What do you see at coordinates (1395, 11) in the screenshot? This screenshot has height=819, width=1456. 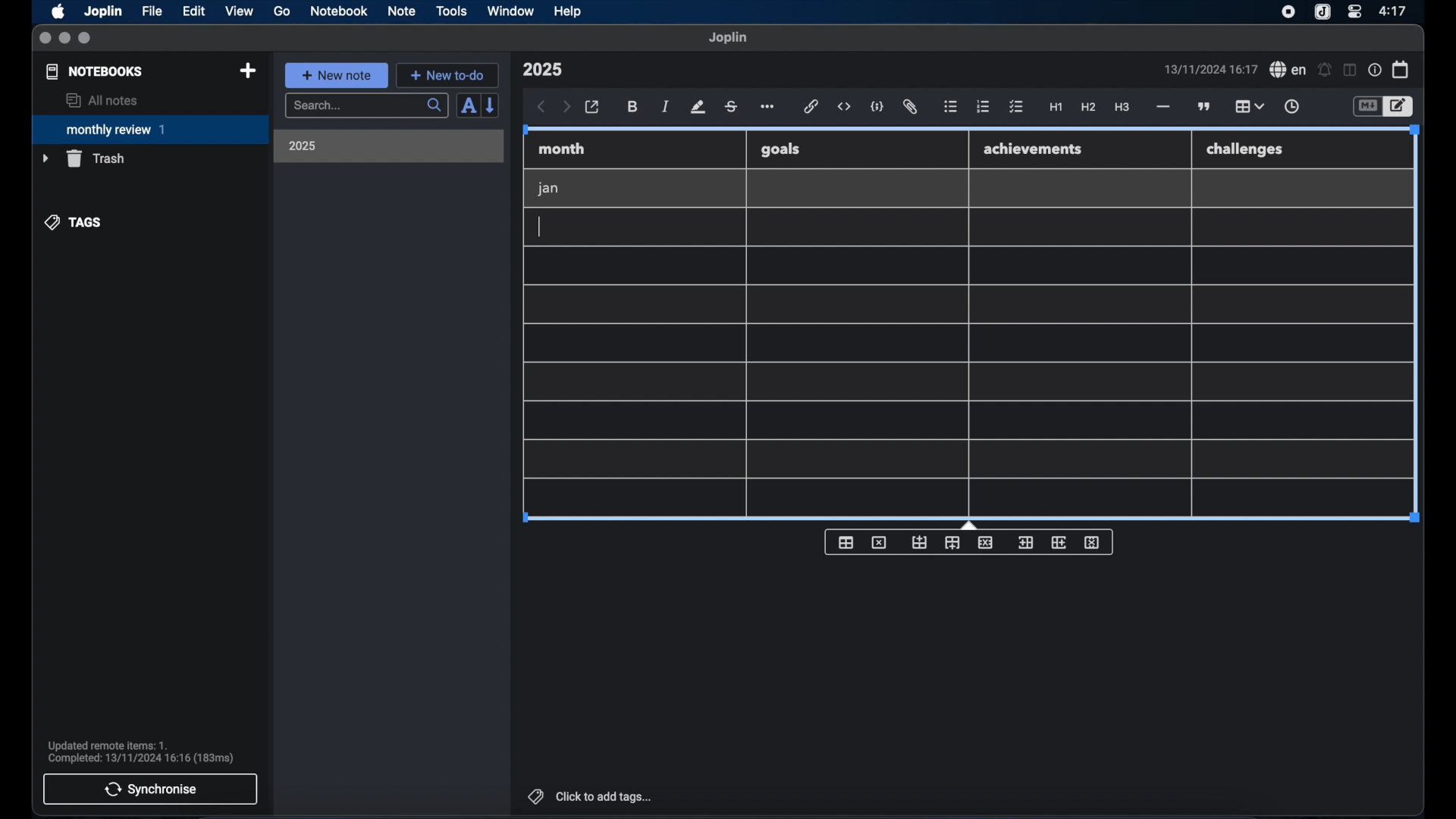 I see `time` at bounding box center [1395, 11].